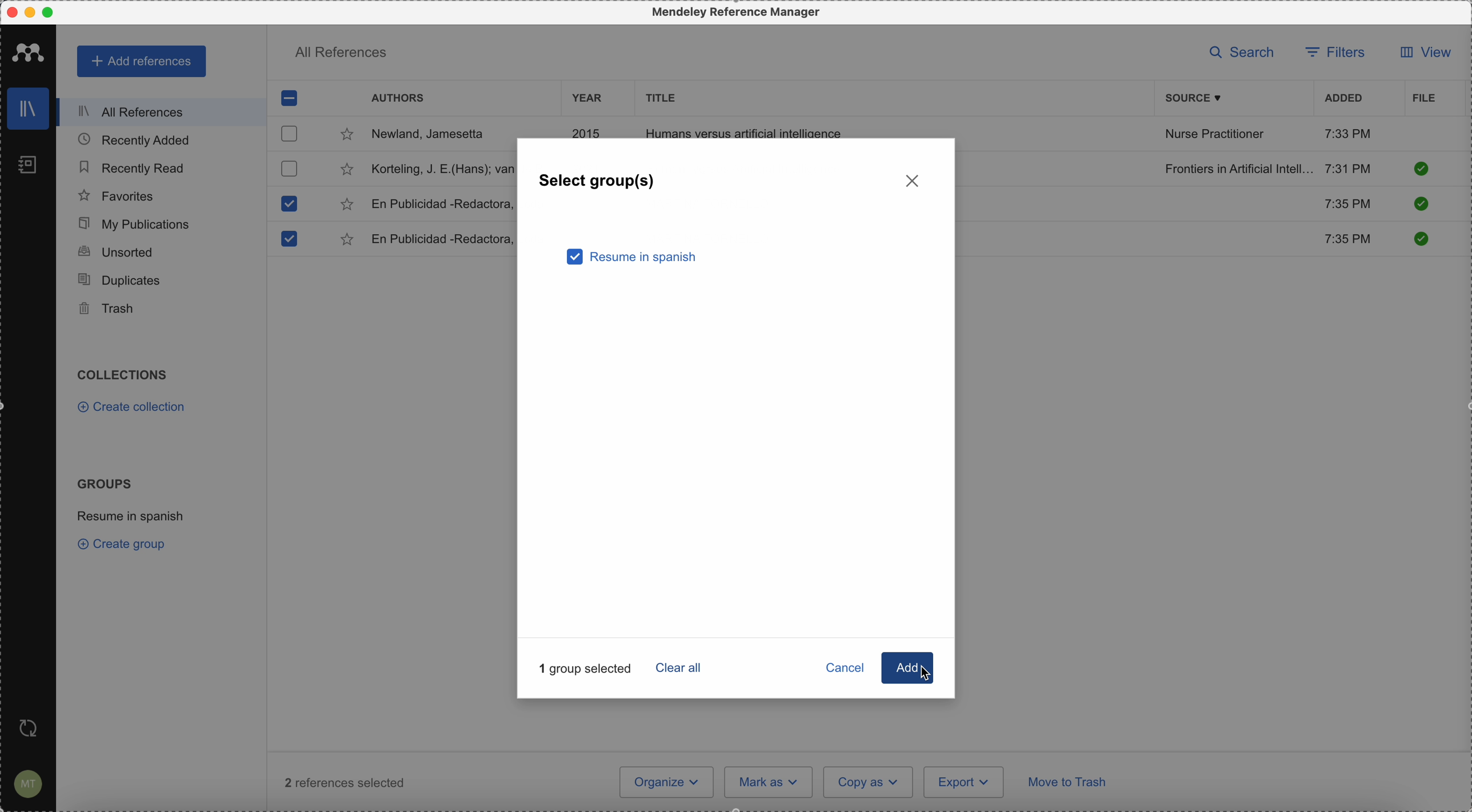  What do you see at coordinates (341, 55) in the screenshot?
I see `all references` at bounding box center [341, 55].